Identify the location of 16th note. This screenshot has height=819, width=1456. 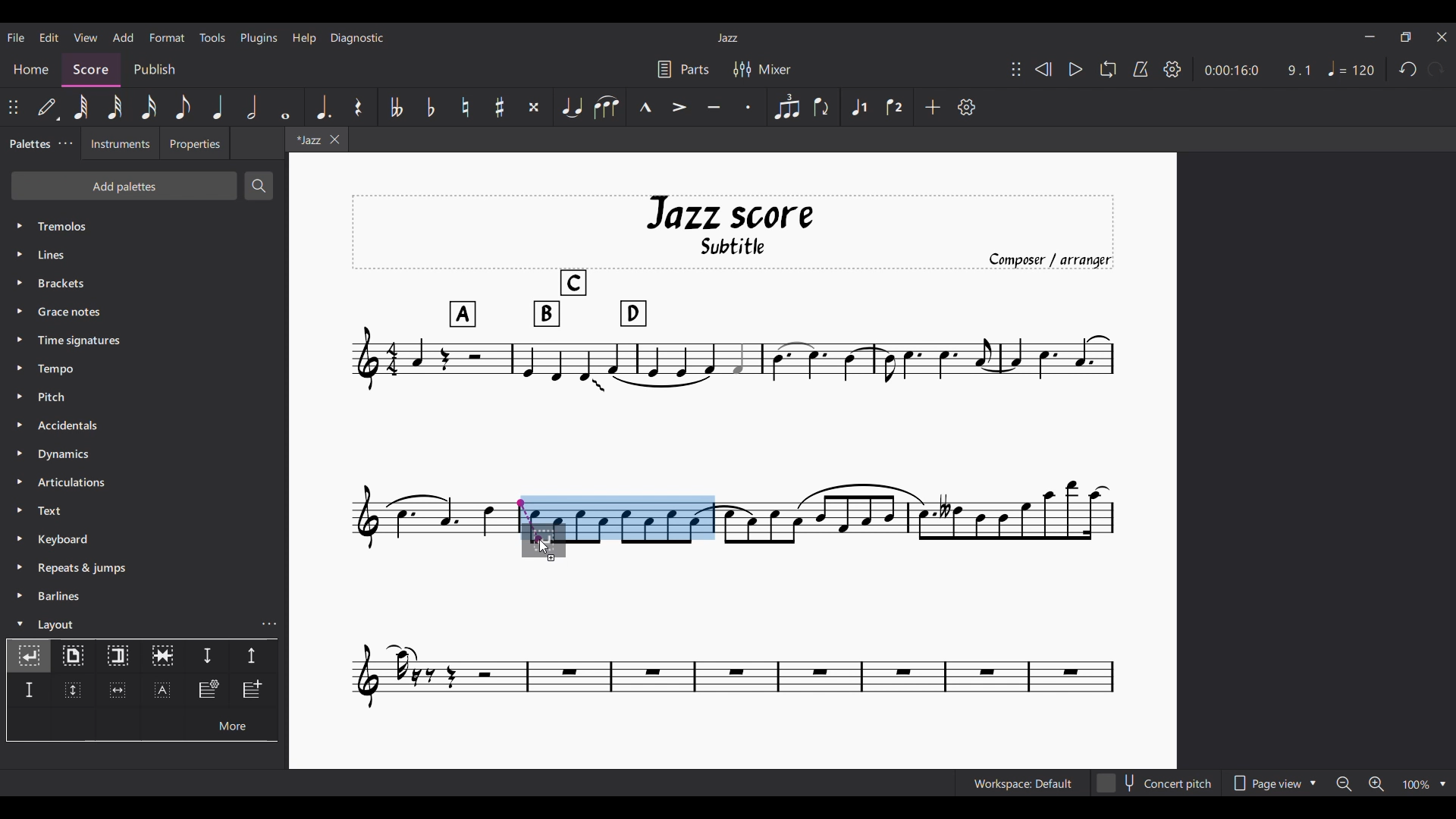
(148, 107).